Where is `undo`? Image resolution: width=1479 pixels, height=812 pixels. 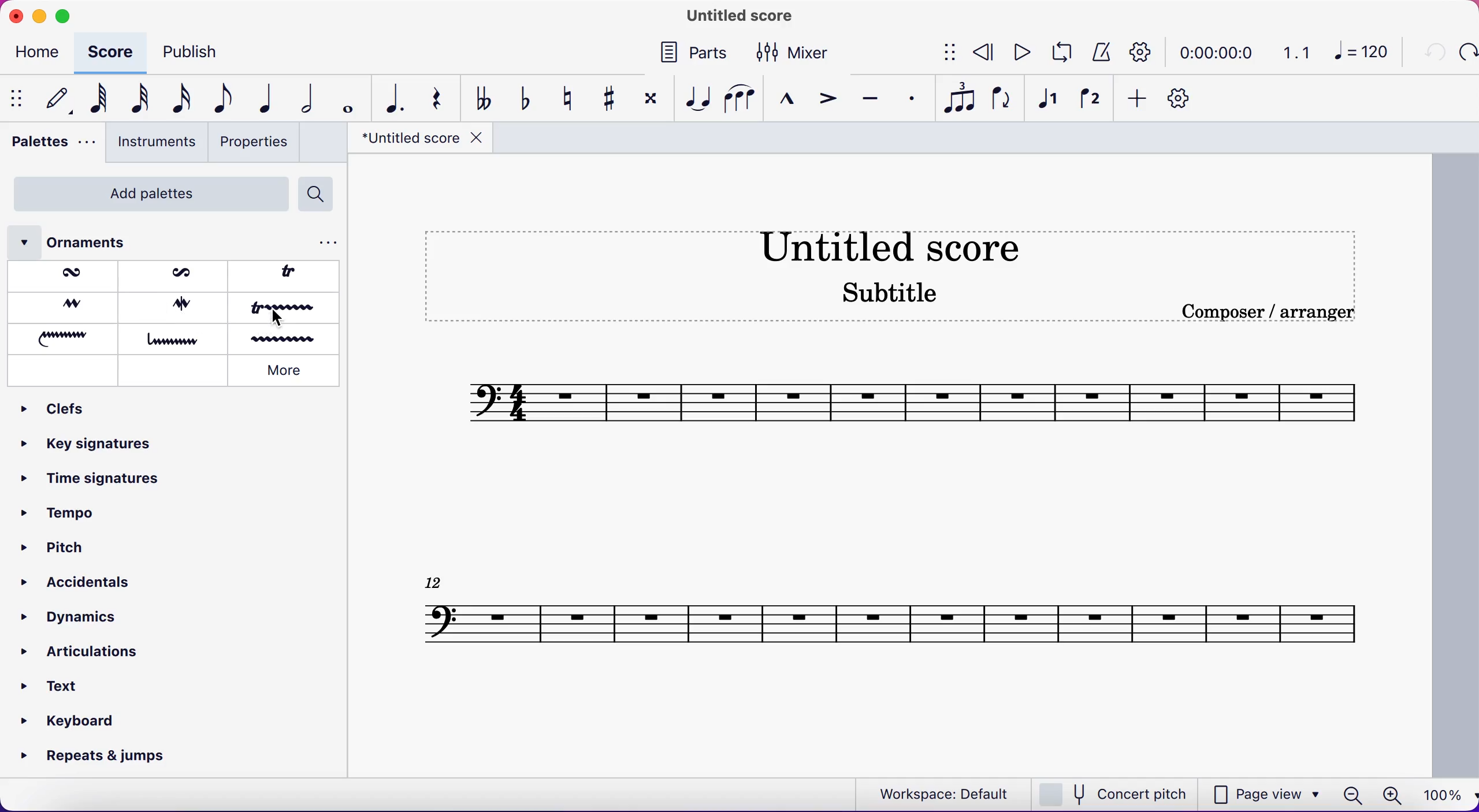
undo is located at coordinates (1432, 54).